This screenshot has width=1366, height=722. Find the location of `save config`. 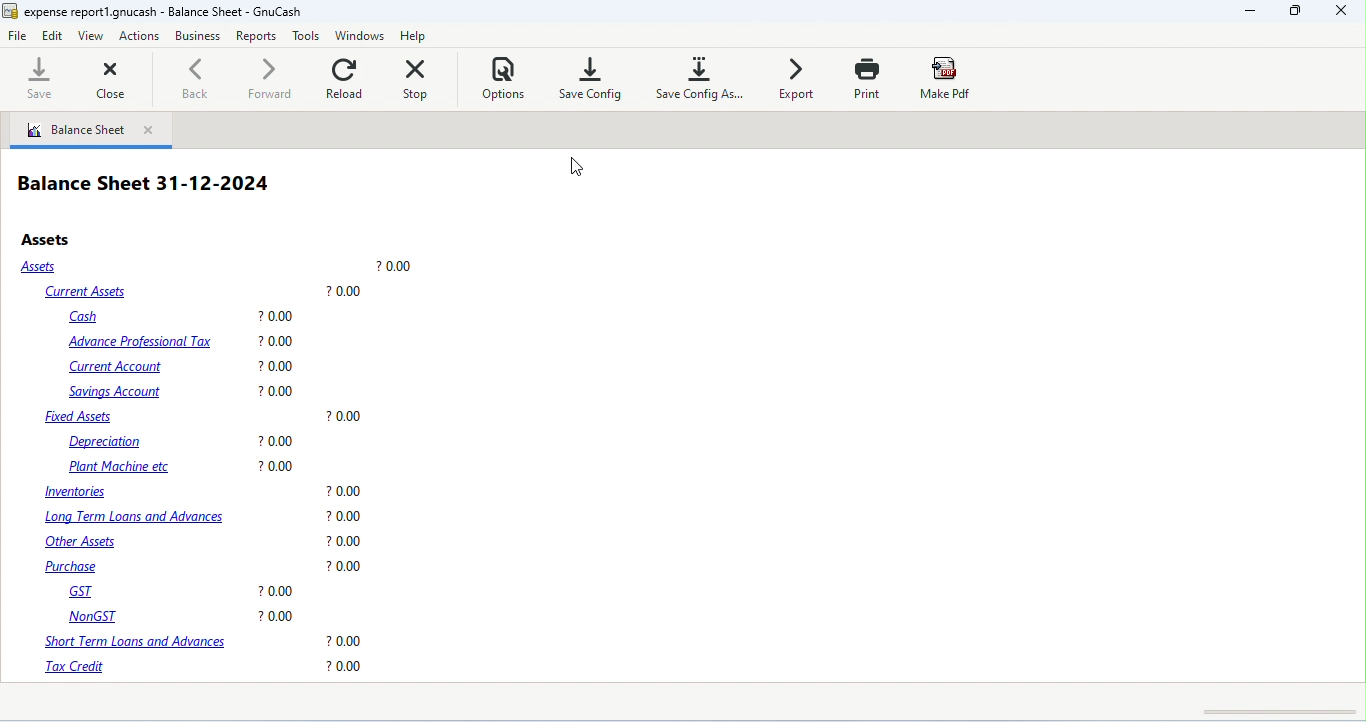

save config is located at coordinates (591, 76).